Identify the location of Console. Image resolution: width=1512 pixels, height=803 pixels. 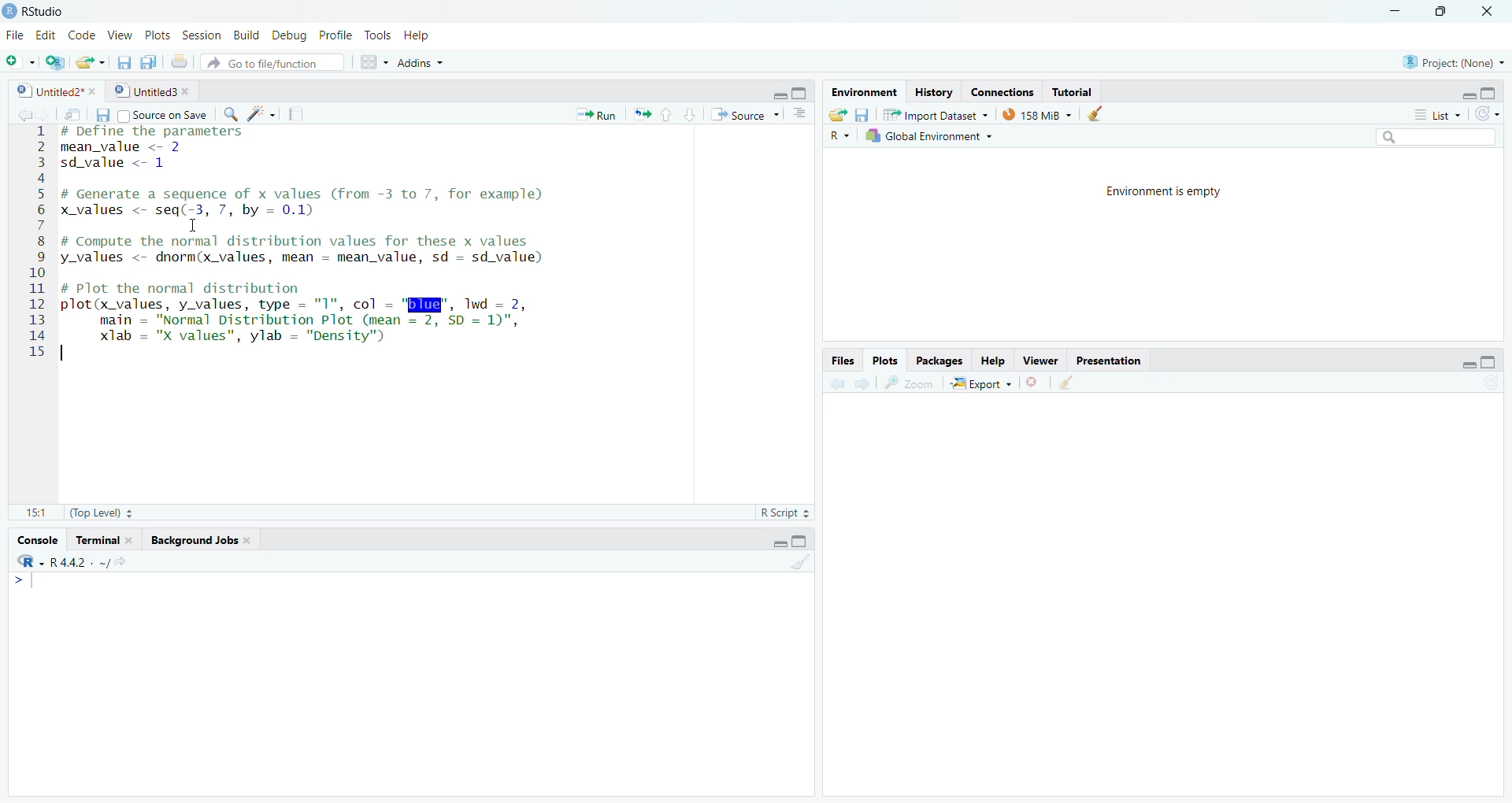
(37, 538).